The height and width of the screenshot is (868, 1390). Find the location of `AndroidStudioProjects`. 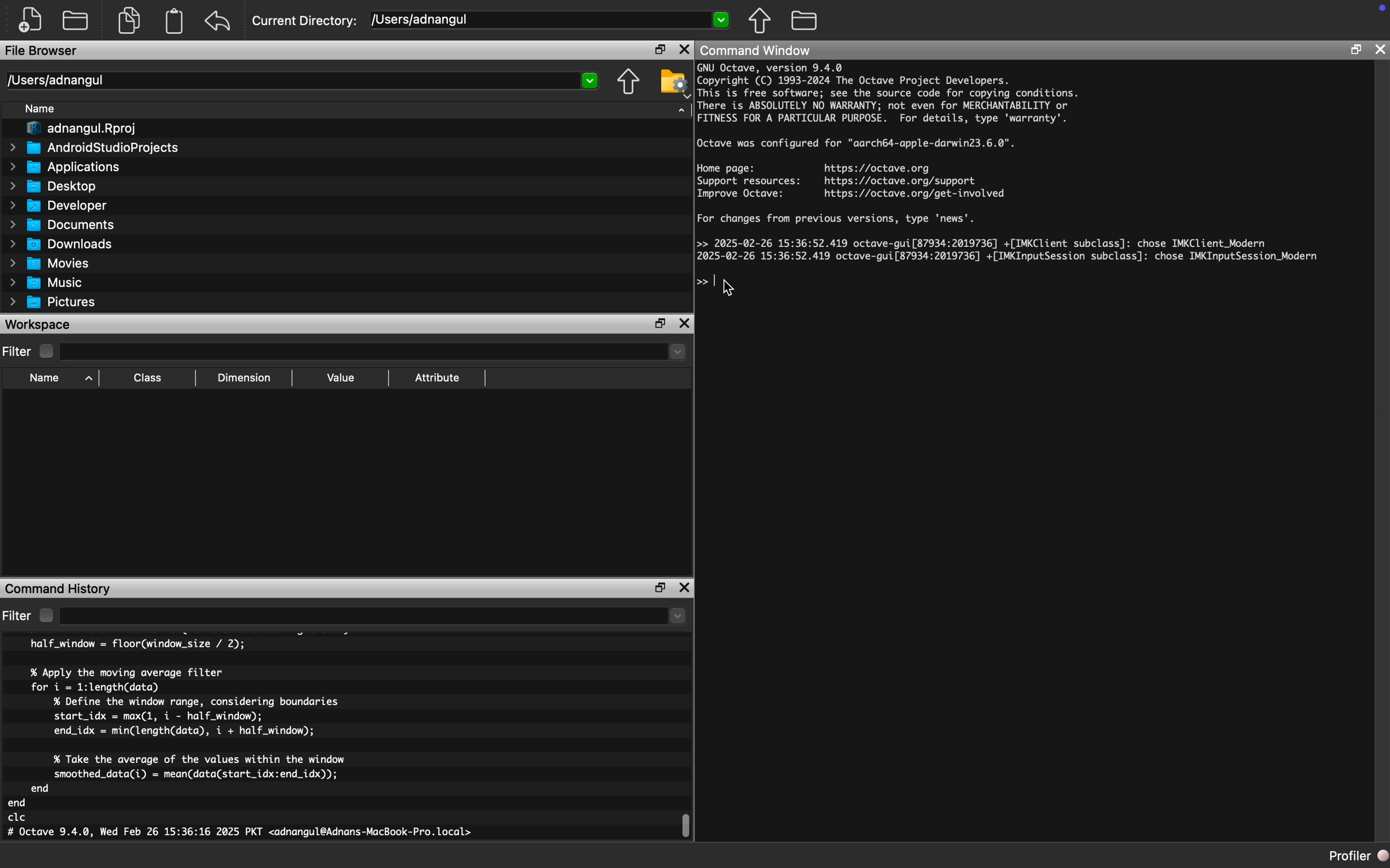

AndroidStudioProjects is located at coordinates (94, 148).